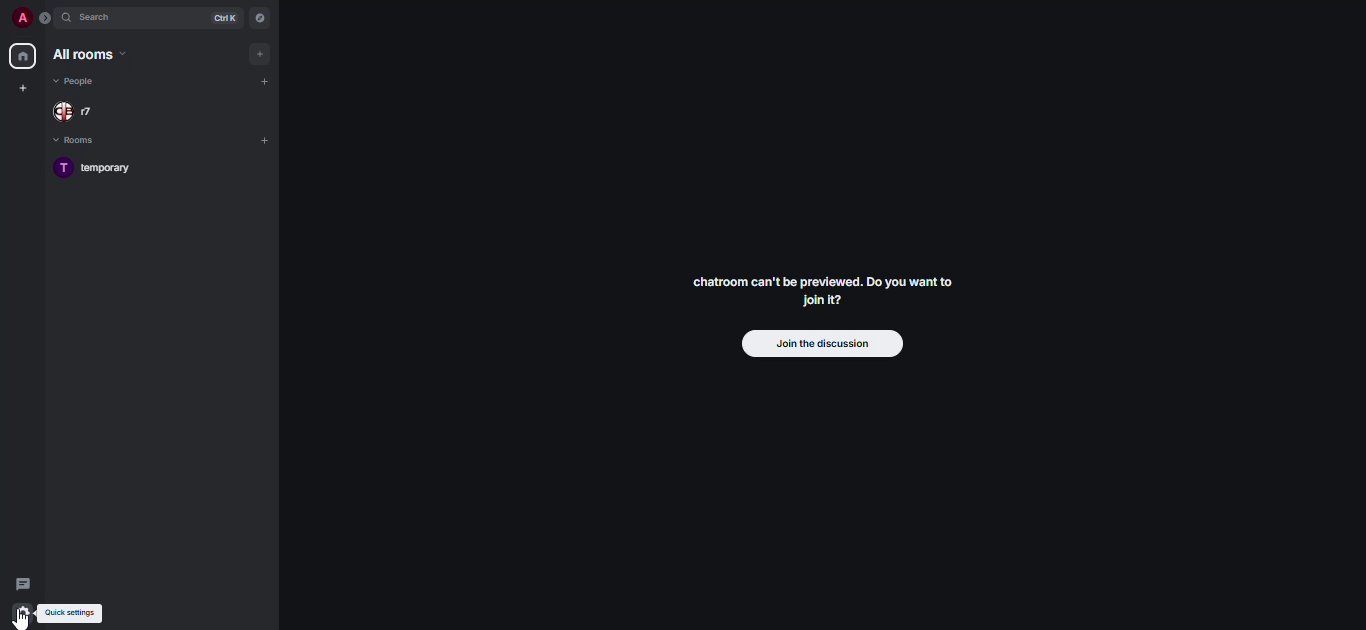  What do you see at coordinates (47, 22) in the screenshot?
I see `expand` at bounding box center [47, 22].